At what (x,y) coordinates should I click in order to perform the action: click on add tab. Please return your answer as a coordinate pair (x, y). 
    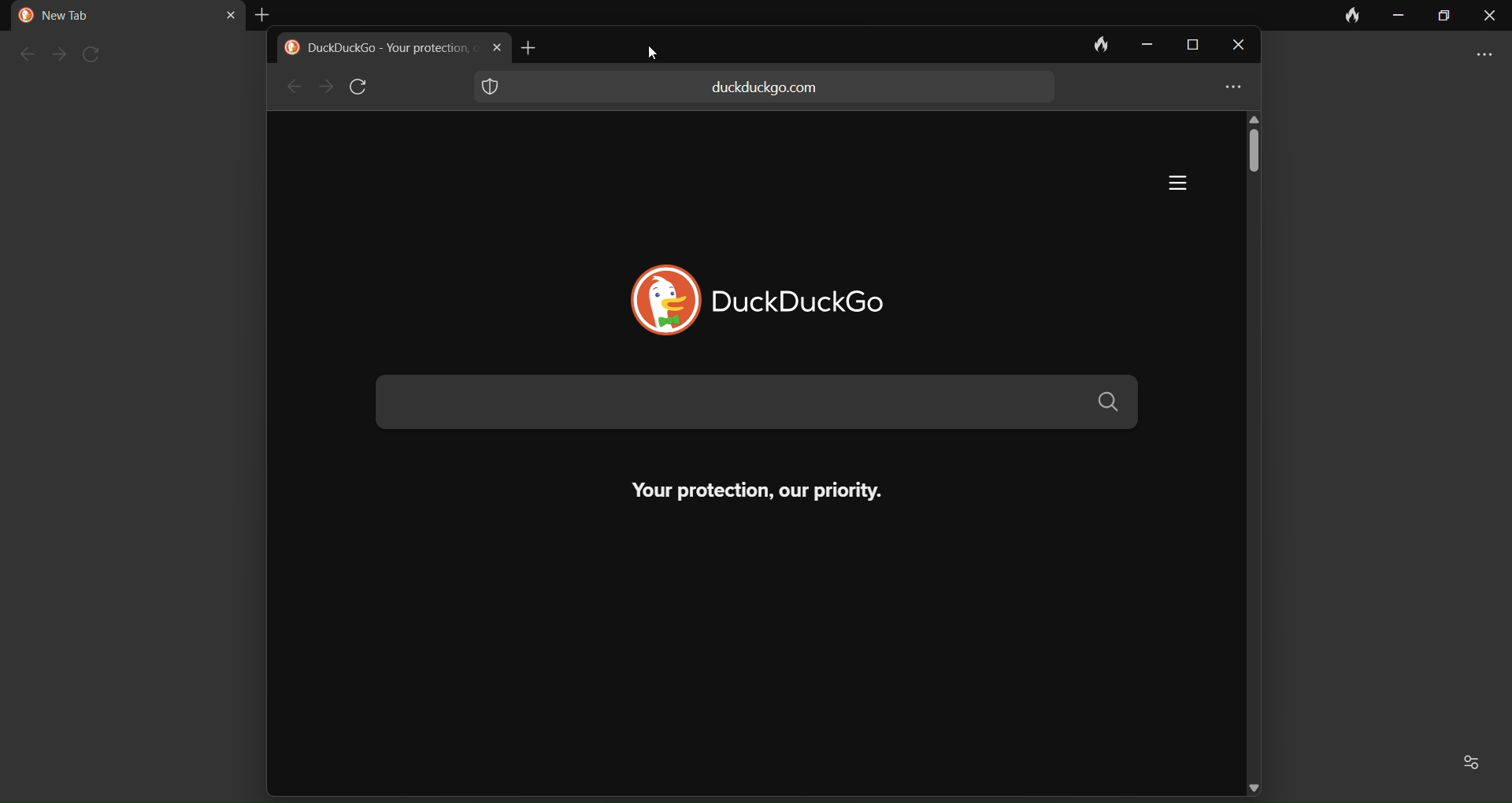
    Looking at the image, I should click on (265, 13).